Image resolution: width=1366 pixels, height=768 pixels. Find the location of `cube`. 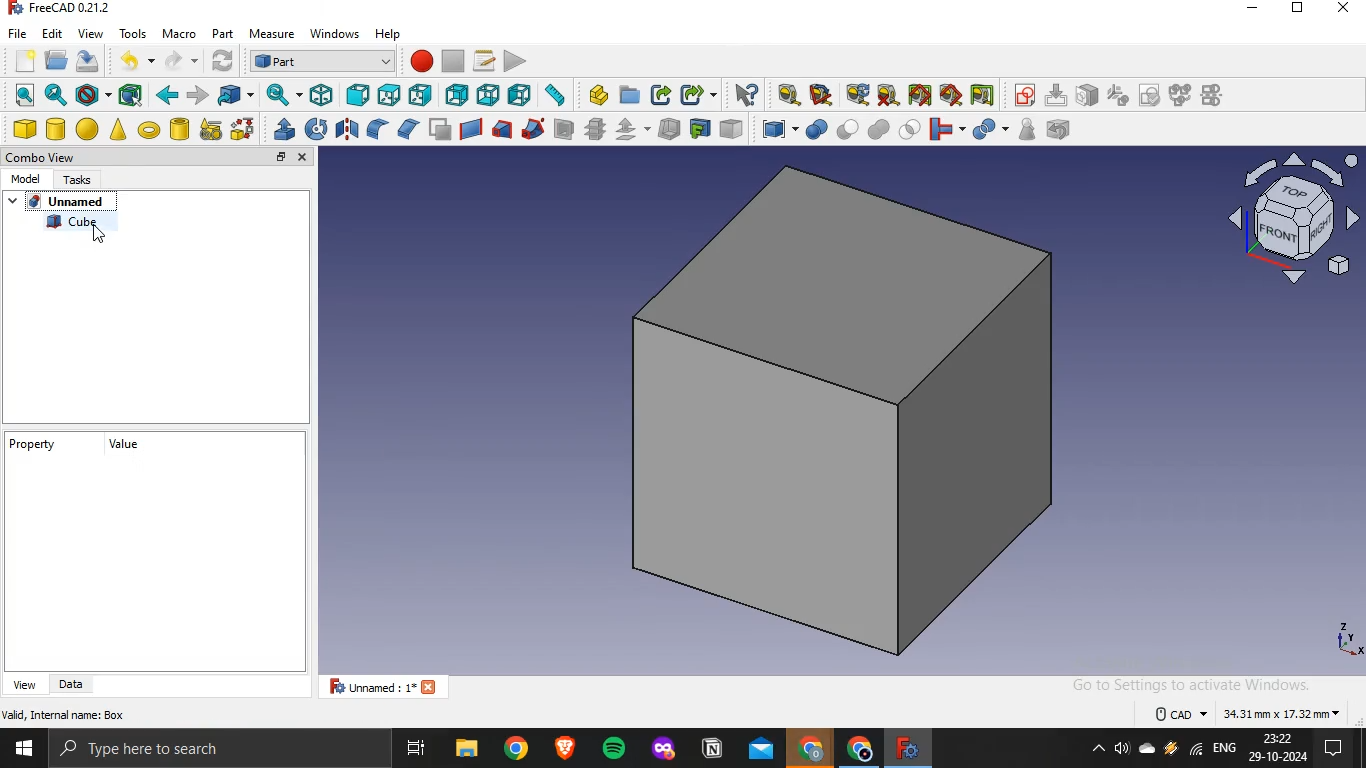

cube is located at coordinates (86, 222).